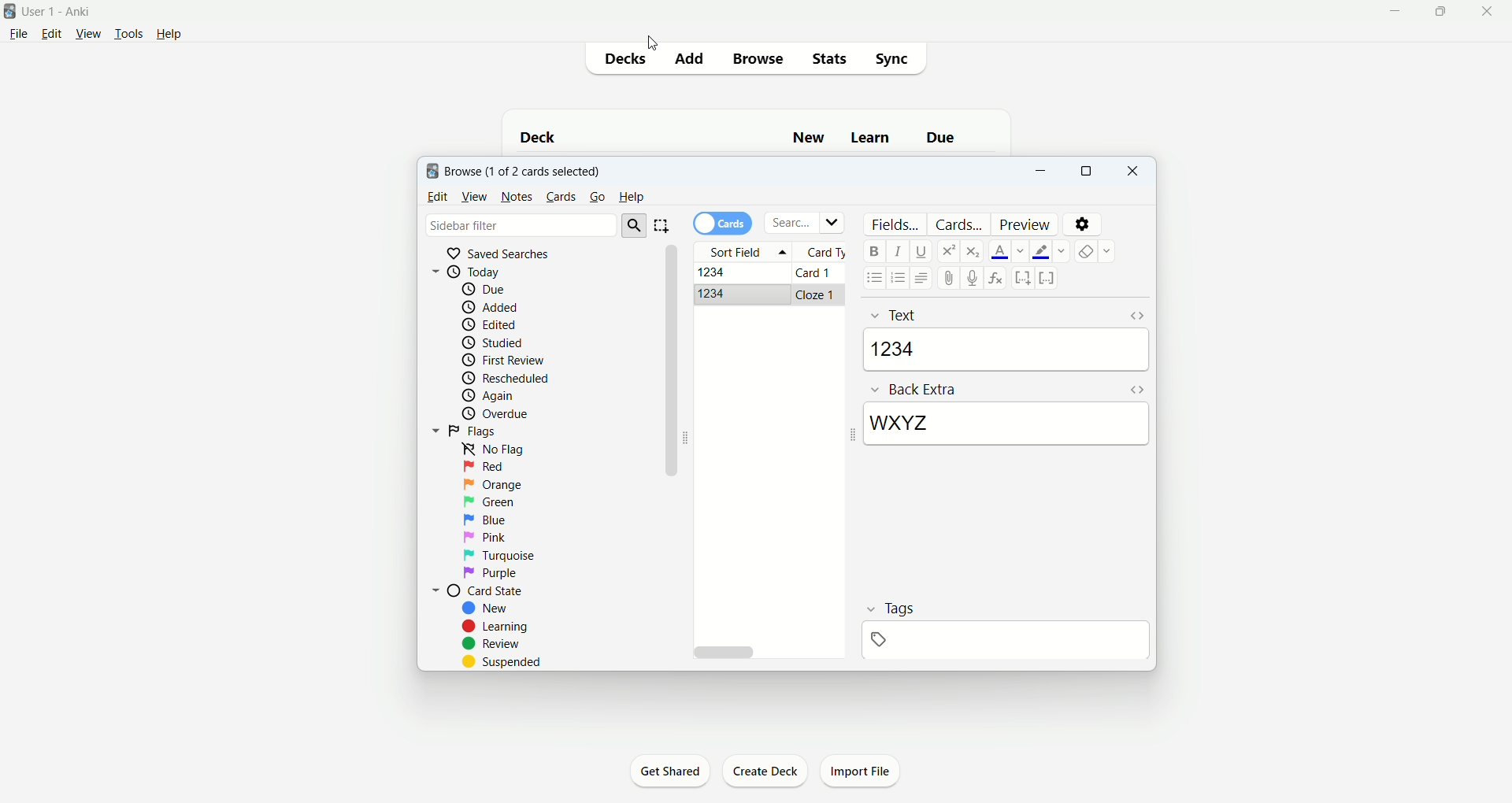  Describe the element at coordinates (948, 251) in the screenshot. I see `superscript` at that location.